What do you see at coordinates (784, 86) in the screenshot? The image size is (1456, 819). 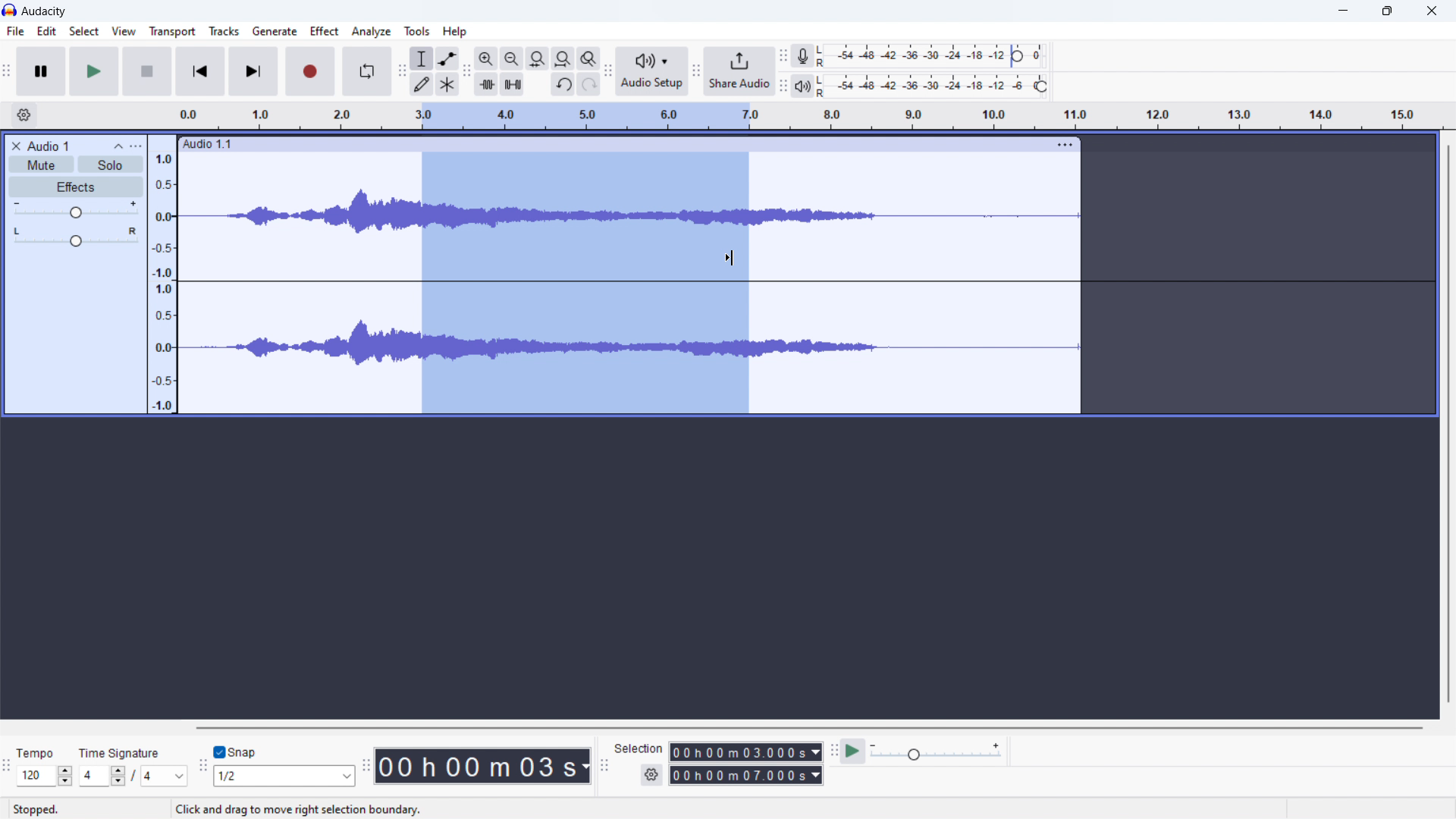 I see `playback meter toolbar` at bounding box center [784, 86].